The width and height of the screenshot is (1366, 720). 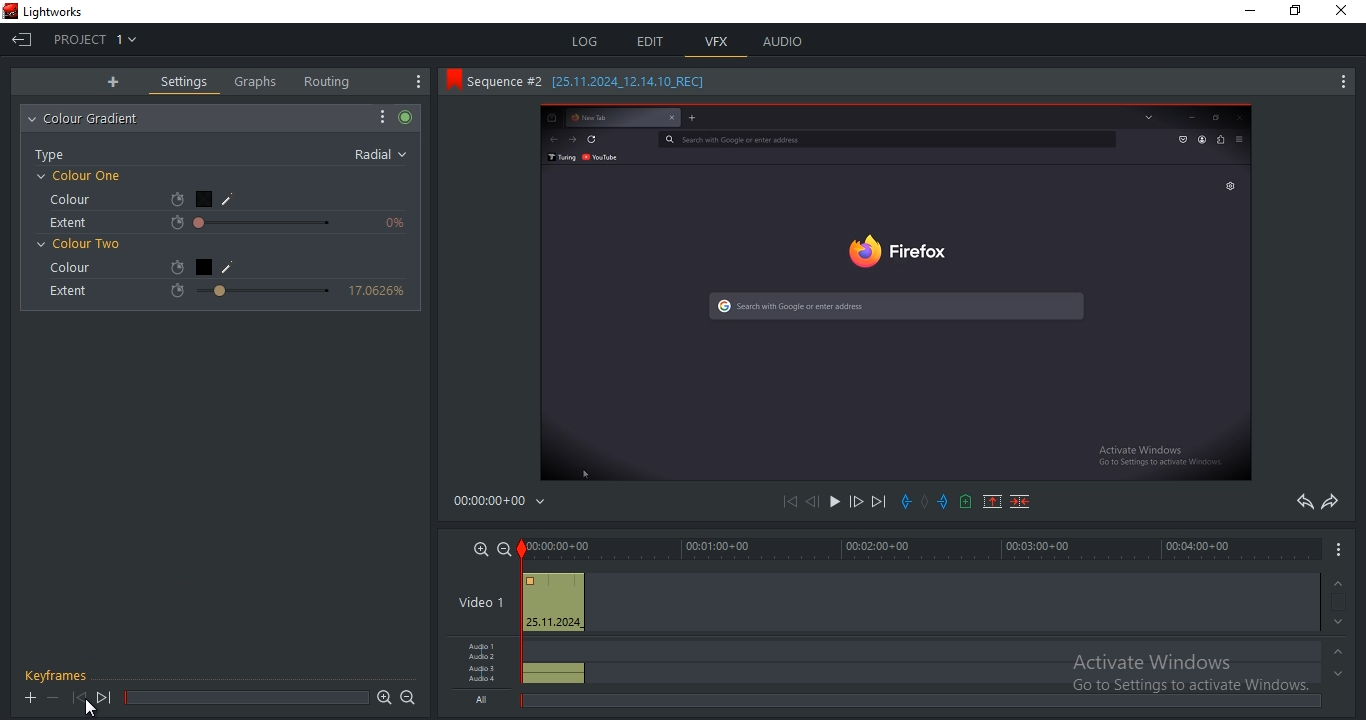 I want to click on Activate Windows
Go to Settings to activate Windows, so click(x=1196, y=673).